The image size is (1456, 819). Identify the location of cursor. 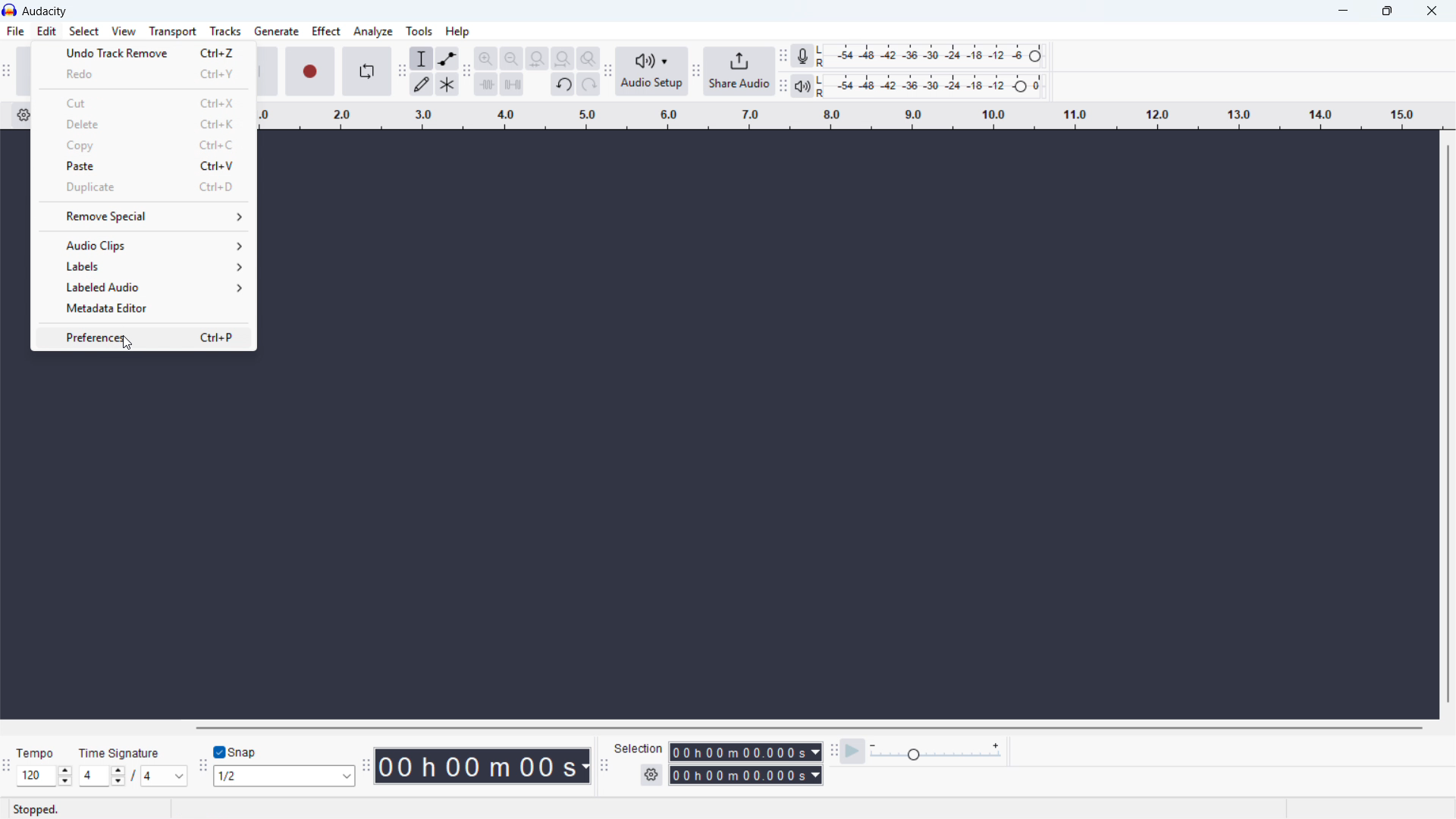
(129, 344).